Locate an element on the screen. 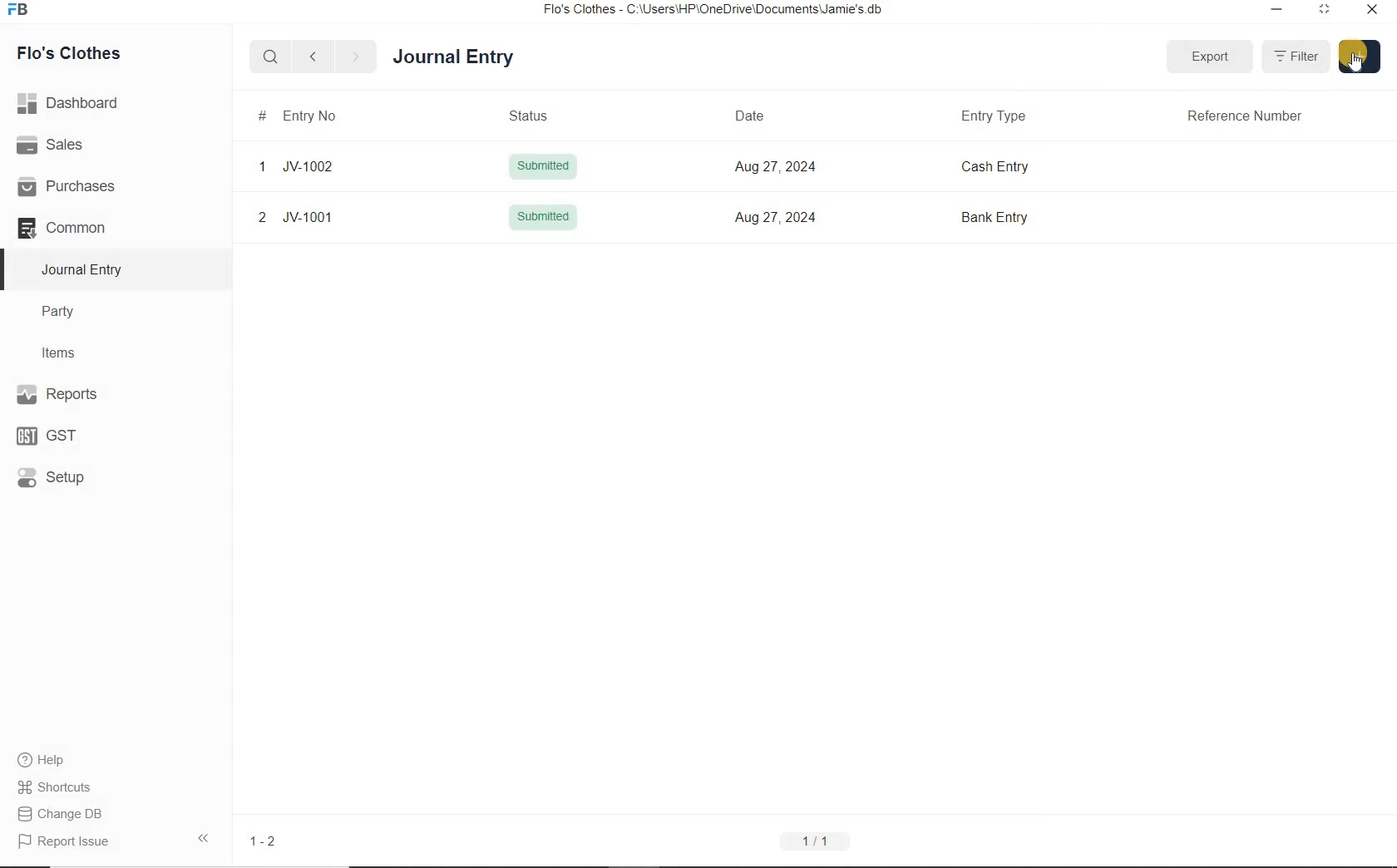 The width and height of the screenshot is (1397, 868). Status is located at coordinates (541, 114).